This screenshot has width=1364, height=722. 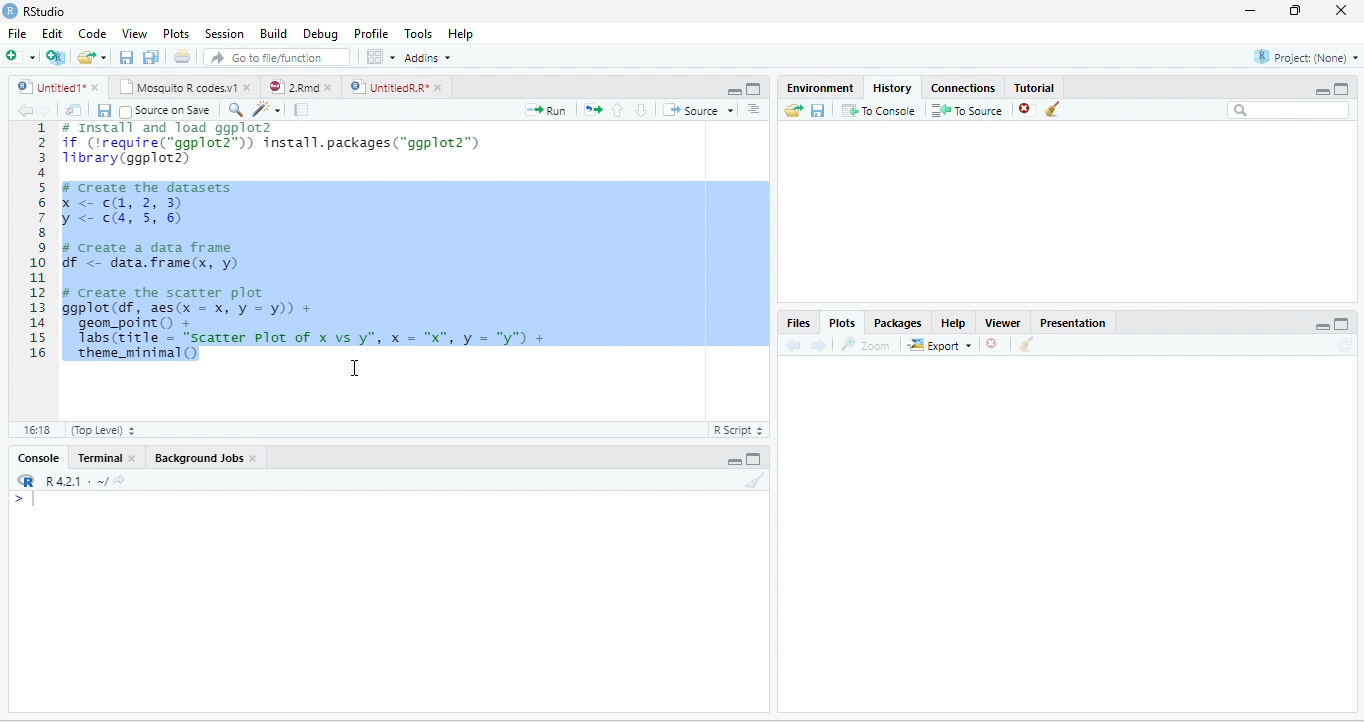 I want to click on Go forward to next source location, so click(x=44, y=111).